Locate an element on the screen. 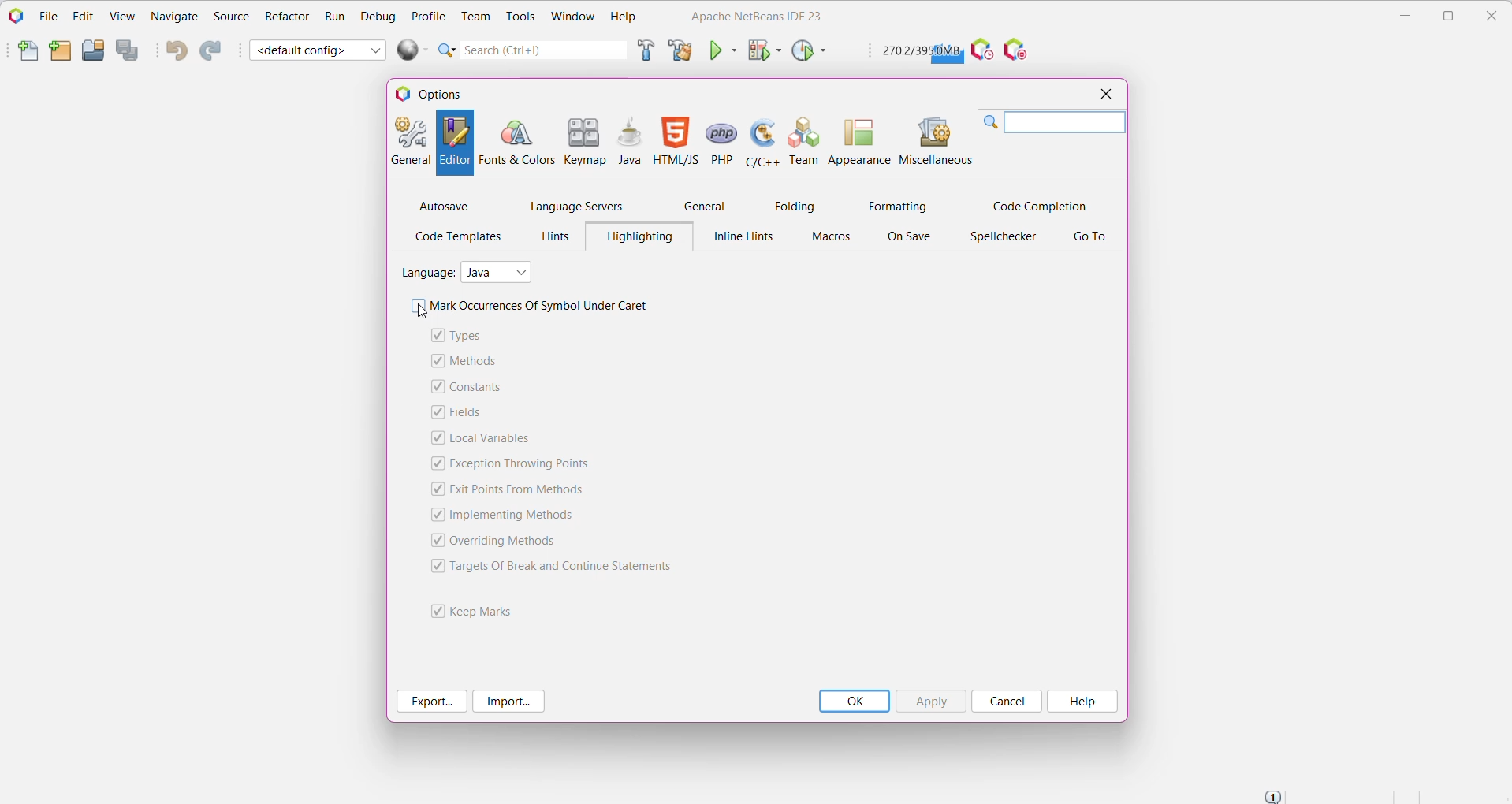  Apply is located at coordinates (933, 701).